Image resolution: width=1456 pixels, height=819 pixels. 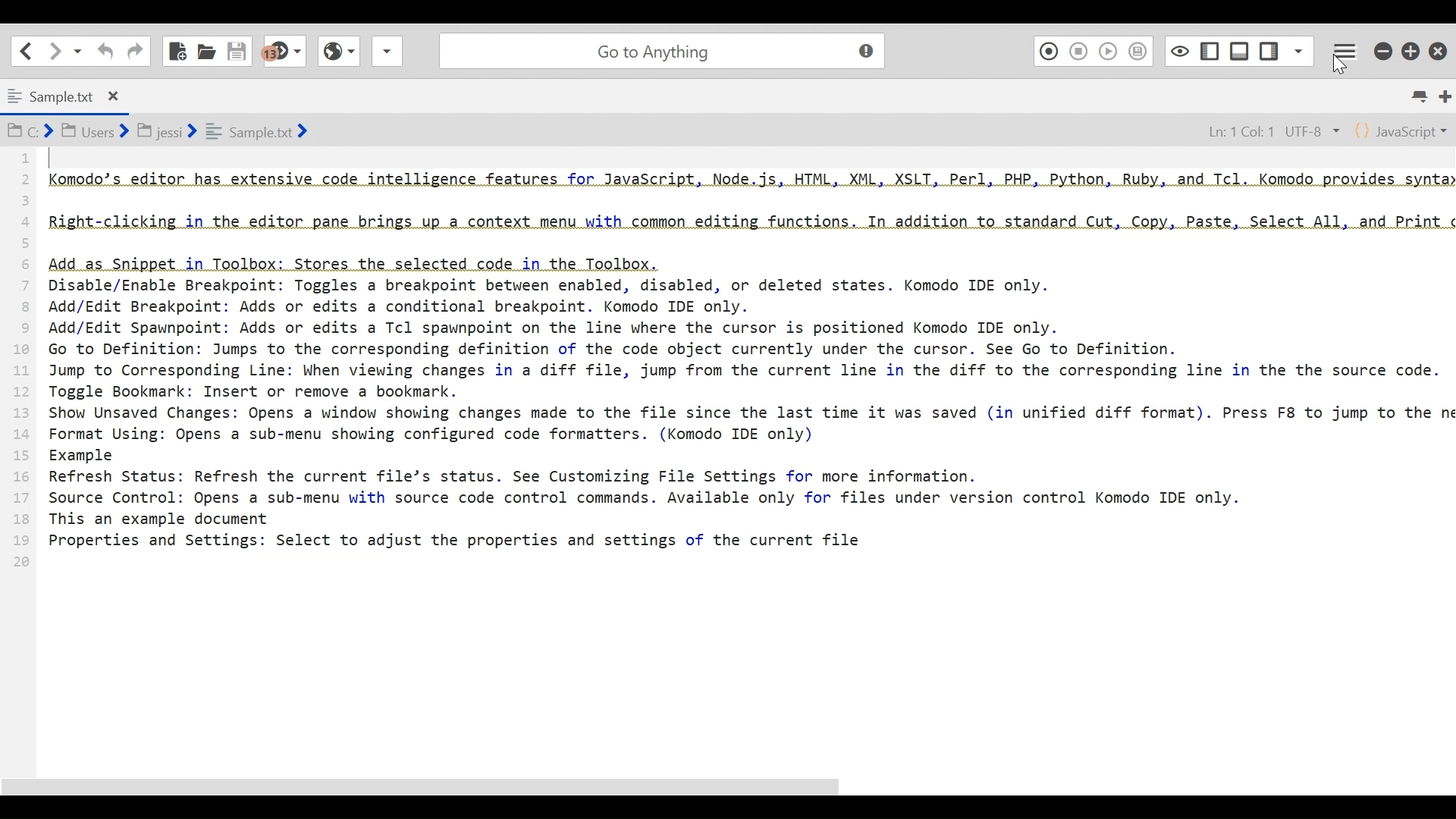 What do you see at coordinates (730, 453) in the screenshot?
I see `Text Entry Pane` at bounding box center [730, 453].